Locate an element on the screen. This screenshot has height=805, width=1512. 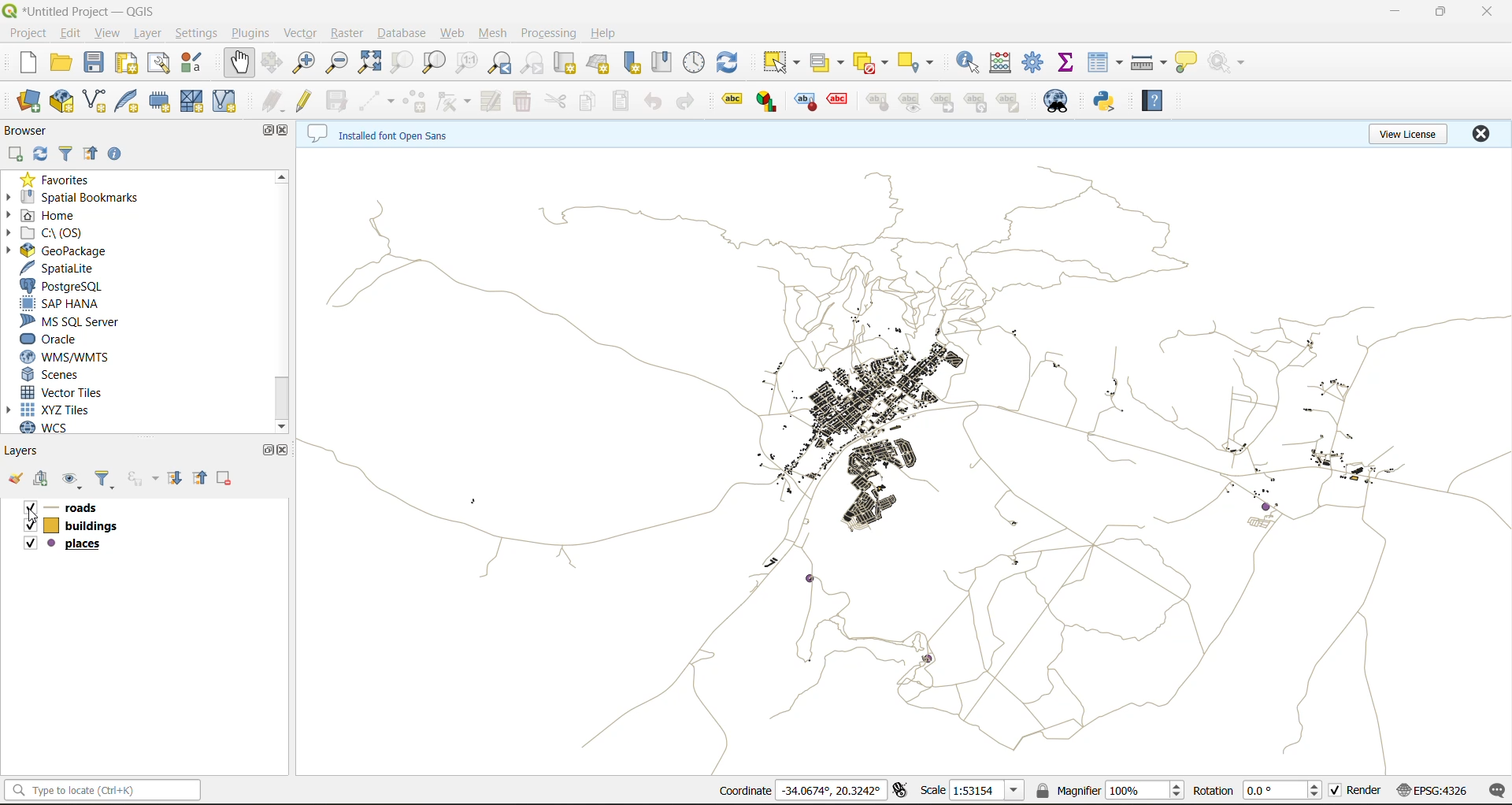
mesh layer is located at coordinates (193, 102).